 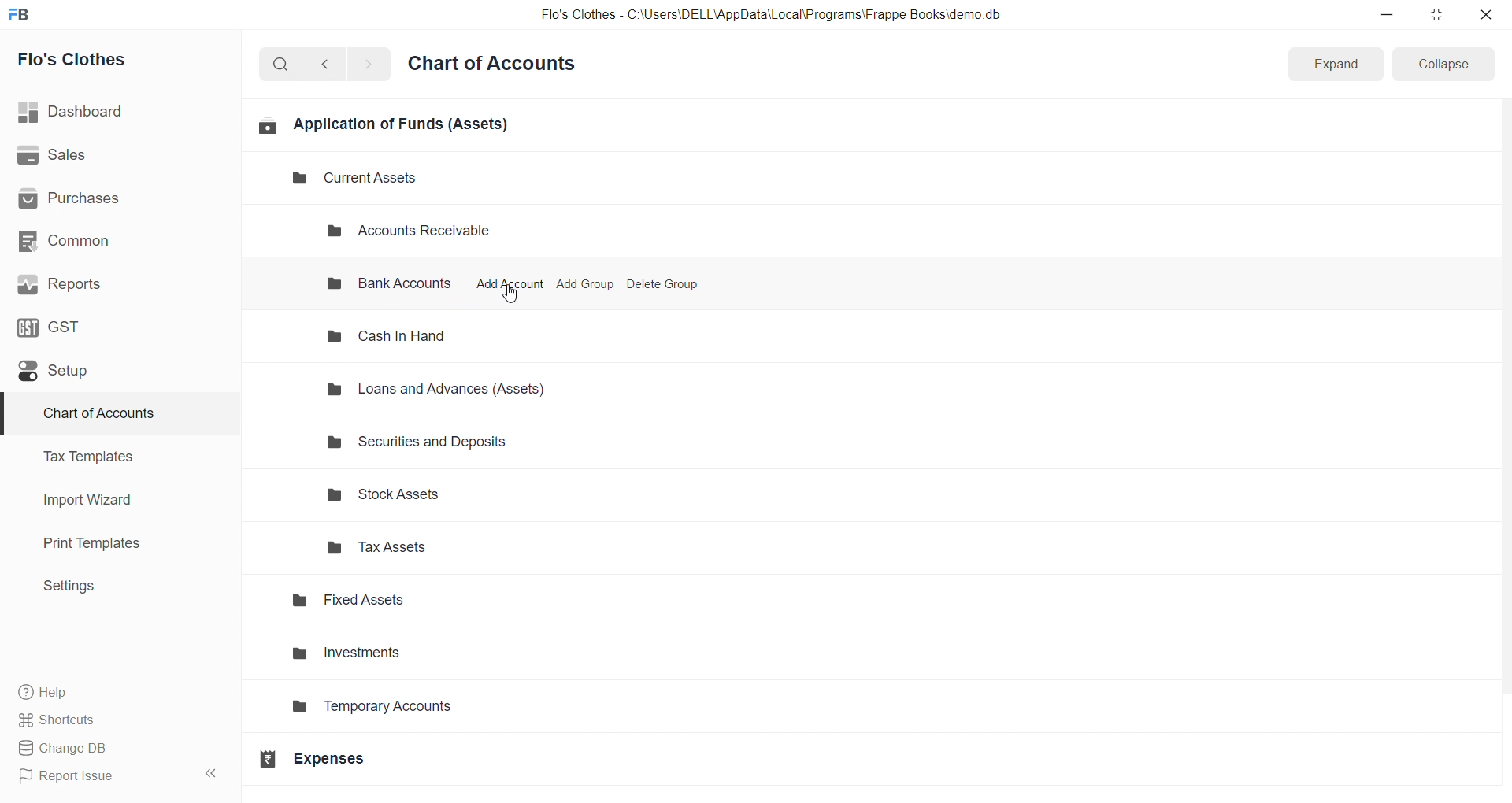 What do you see at coordinates (113, 60) in the screenshot?
I see `Flo's Clothes` at bounding box center [113, 60].